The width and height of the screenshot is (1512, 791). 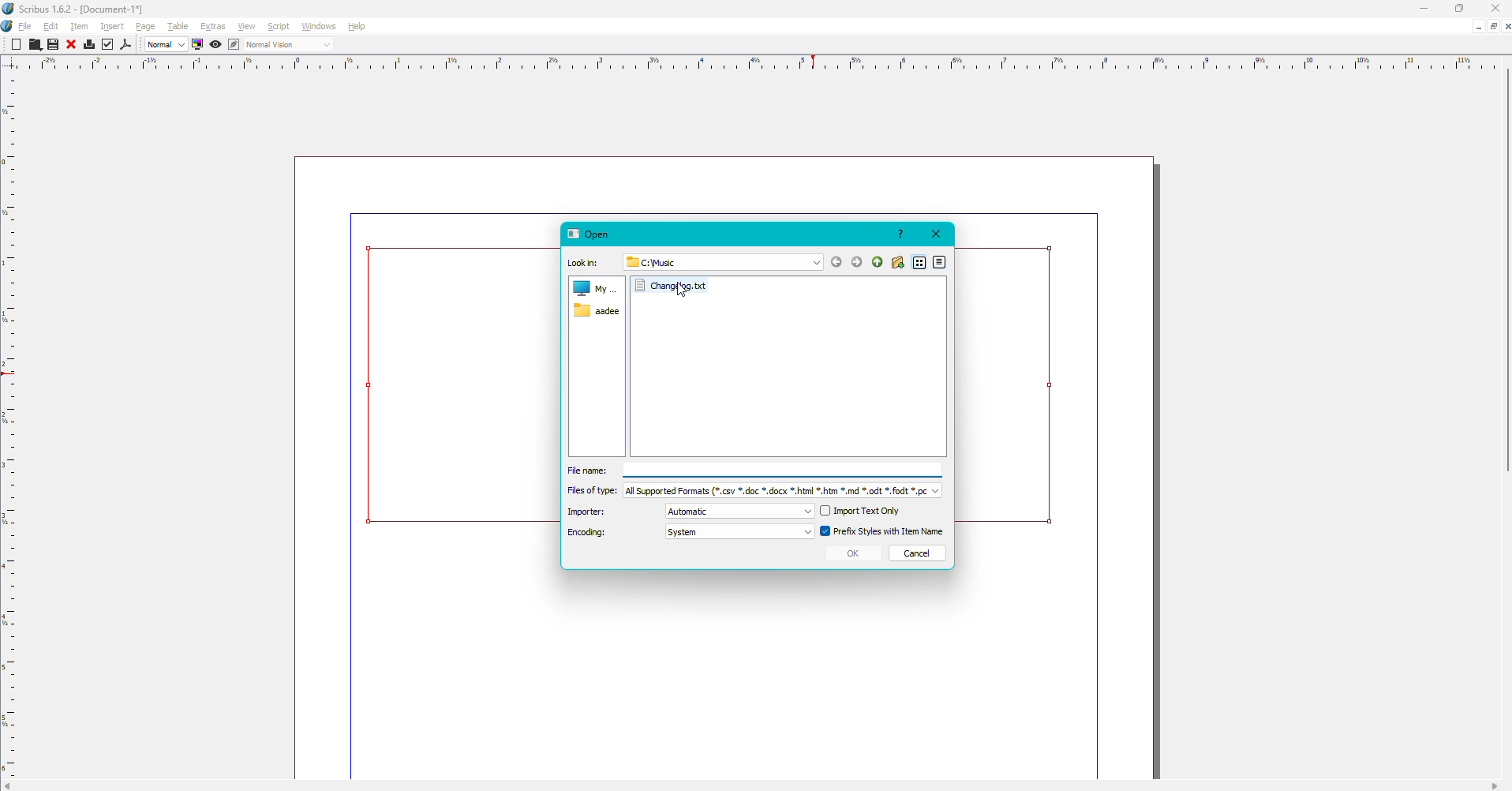 What do you see at coordinates (877, 260) in the screenshot?
I see `upload` at bounding box center [877, 260].